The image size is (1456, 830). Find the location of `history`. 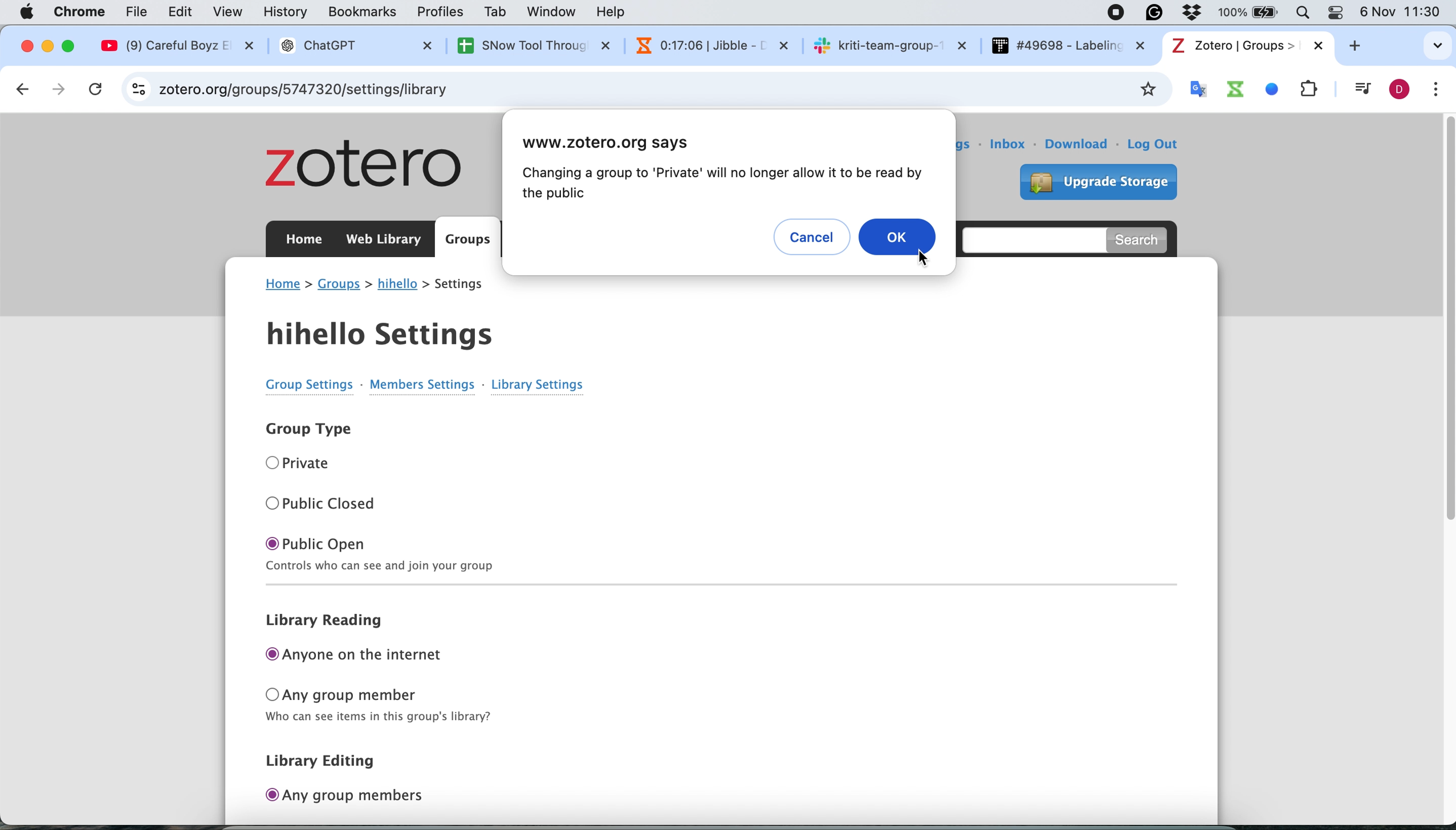

history is located at coordinates (289, 13).